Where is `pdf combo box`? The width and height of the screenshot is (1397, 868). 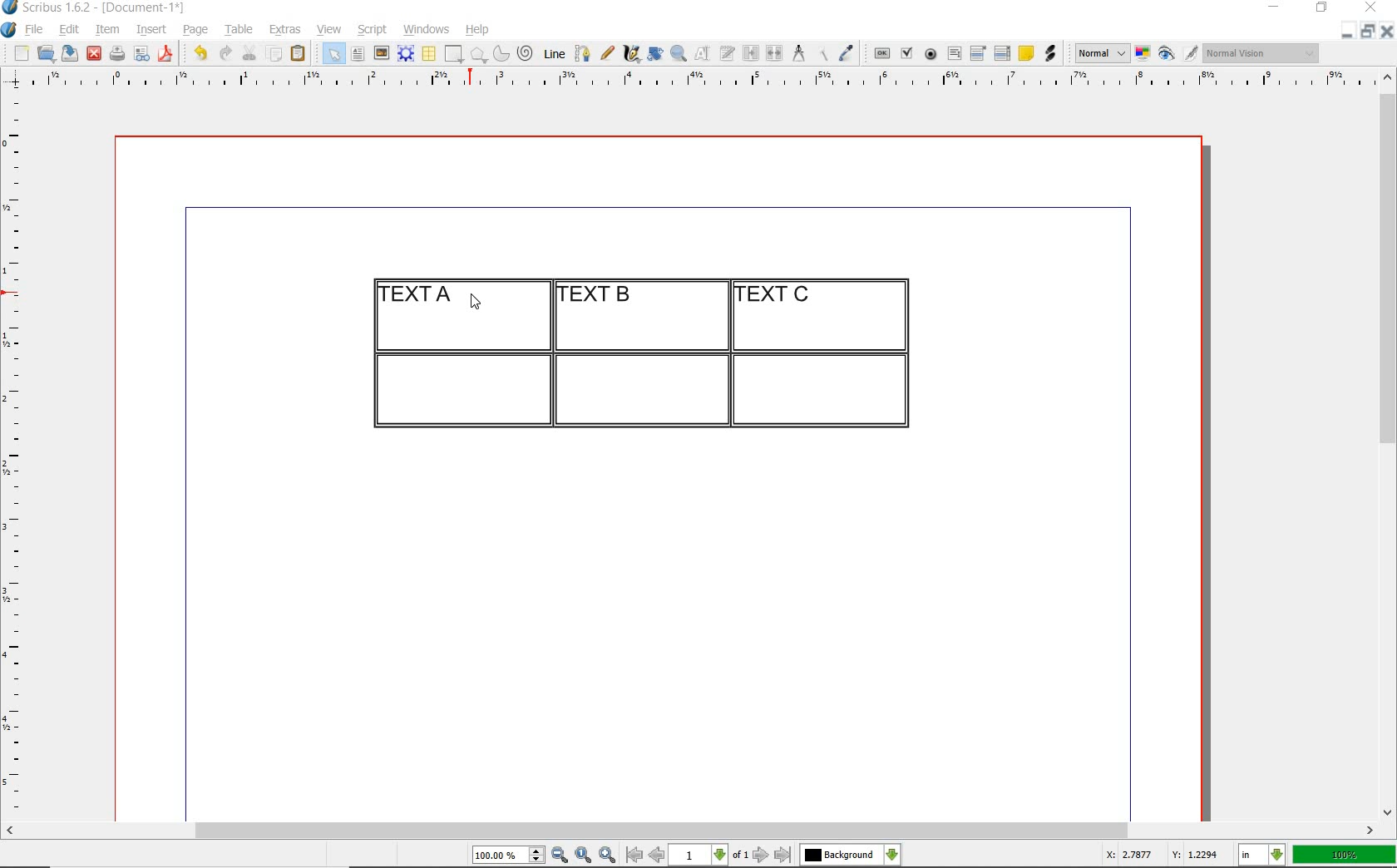
pdf combo box is located at coordinates (979, 52).